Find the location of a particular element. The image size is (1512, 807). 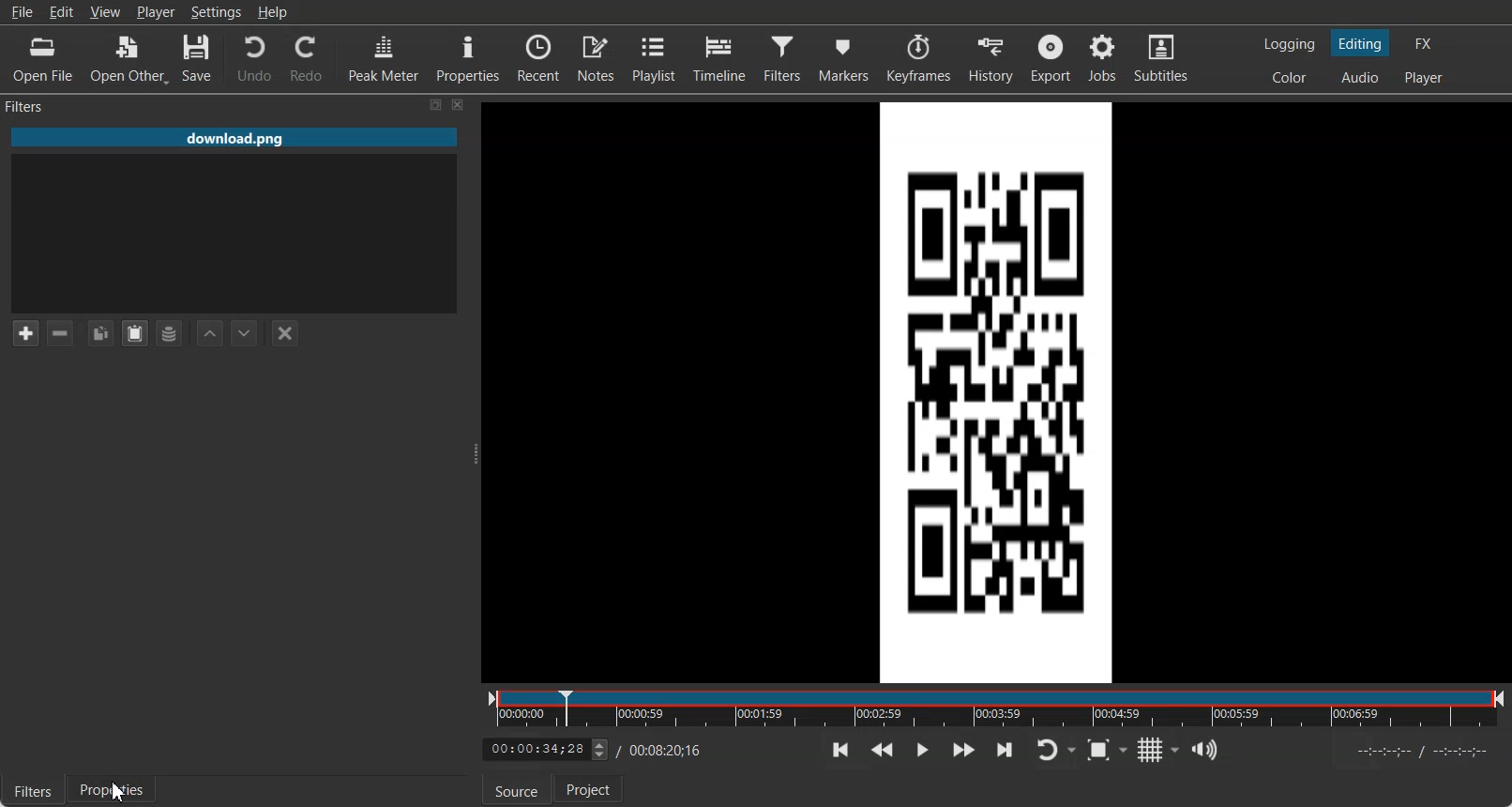

Play quickly forward is located at coordinates (963, 749).